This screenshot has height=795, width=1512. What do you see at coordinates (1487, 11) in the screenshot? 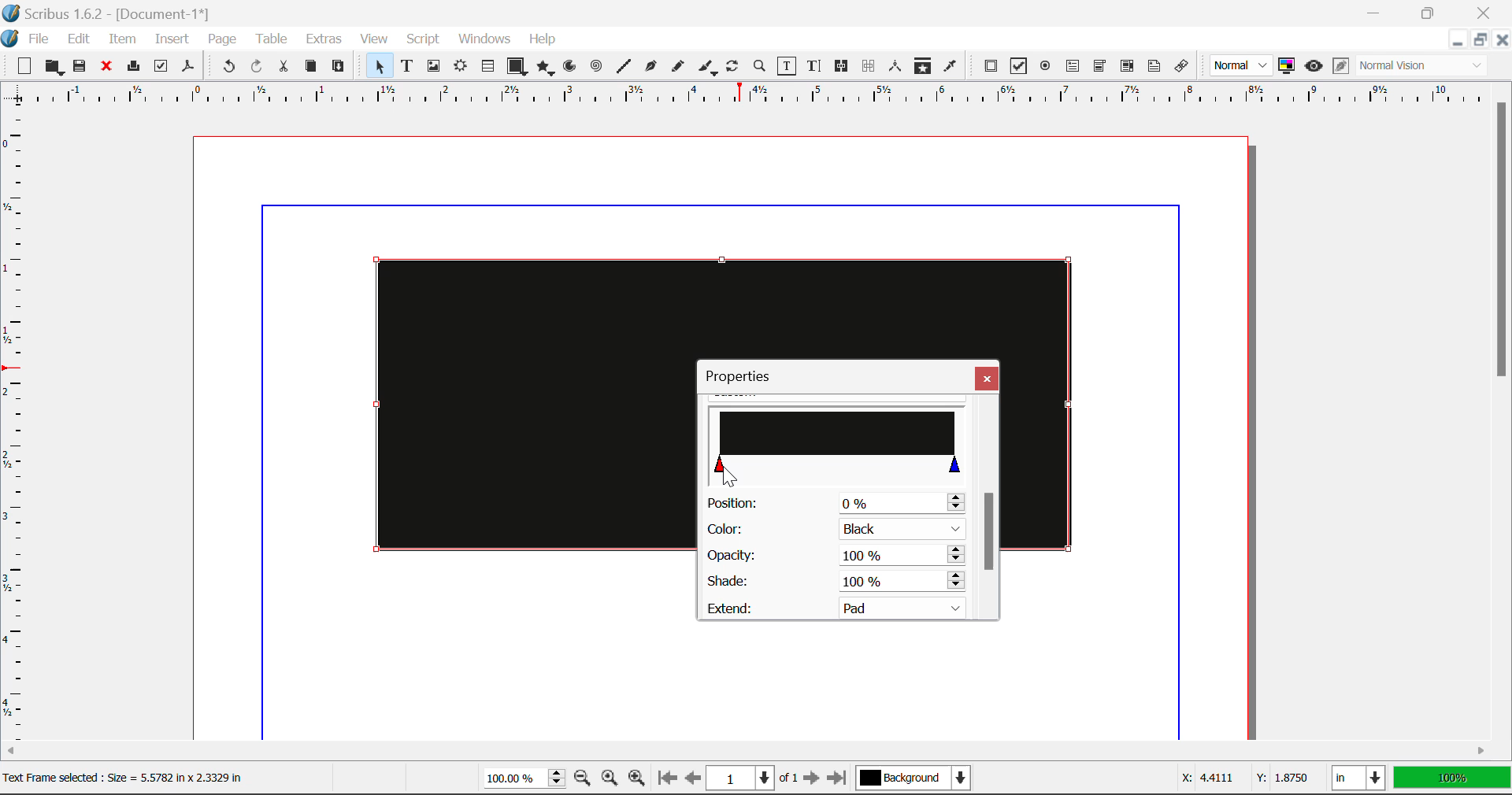
I see `Close` at bounding box center [1487, 11].